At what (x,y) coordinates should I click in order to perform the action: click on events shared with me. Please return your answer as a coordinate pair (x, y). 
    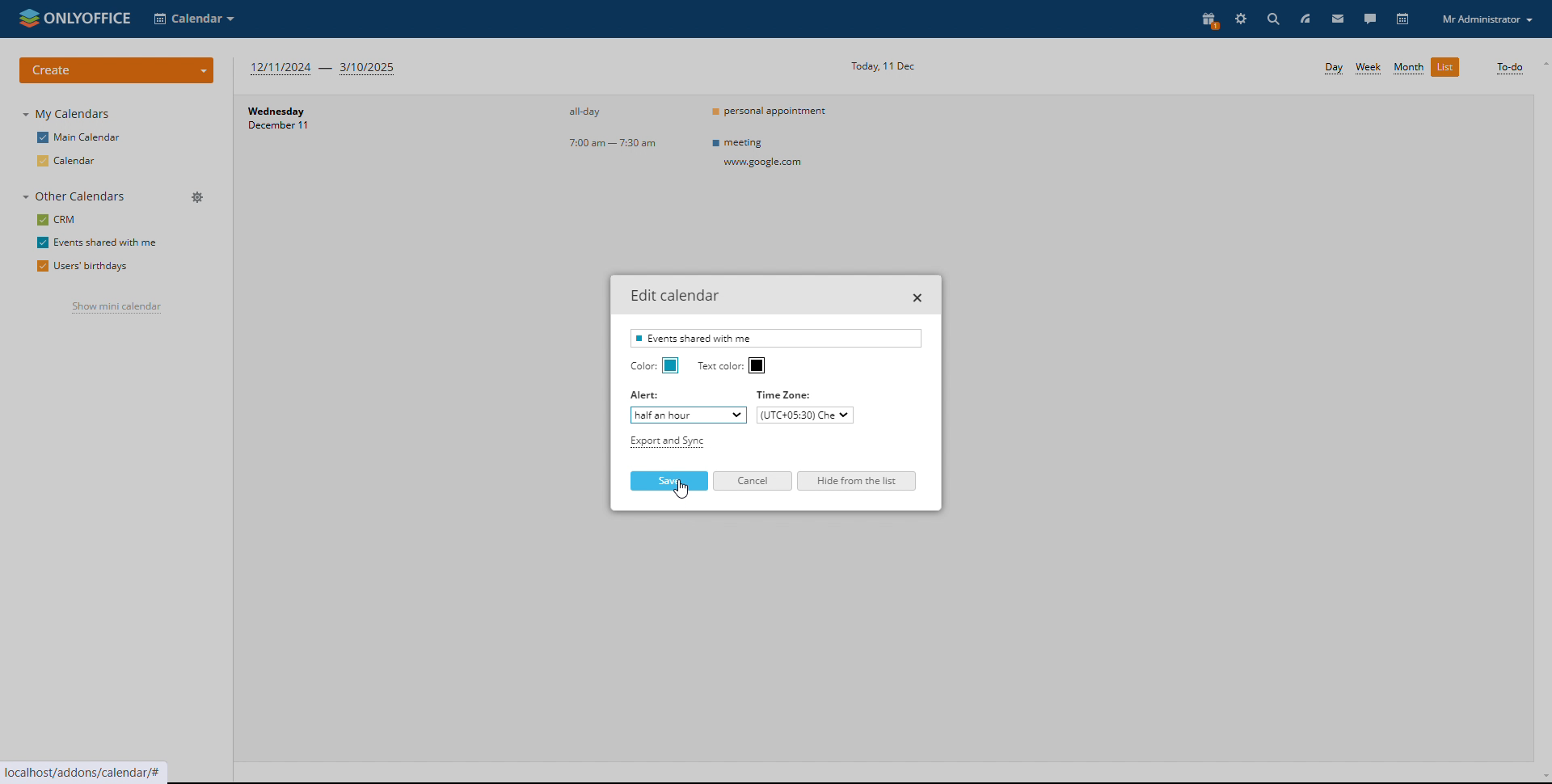
    Looking at the image, I should click on (96, 242).